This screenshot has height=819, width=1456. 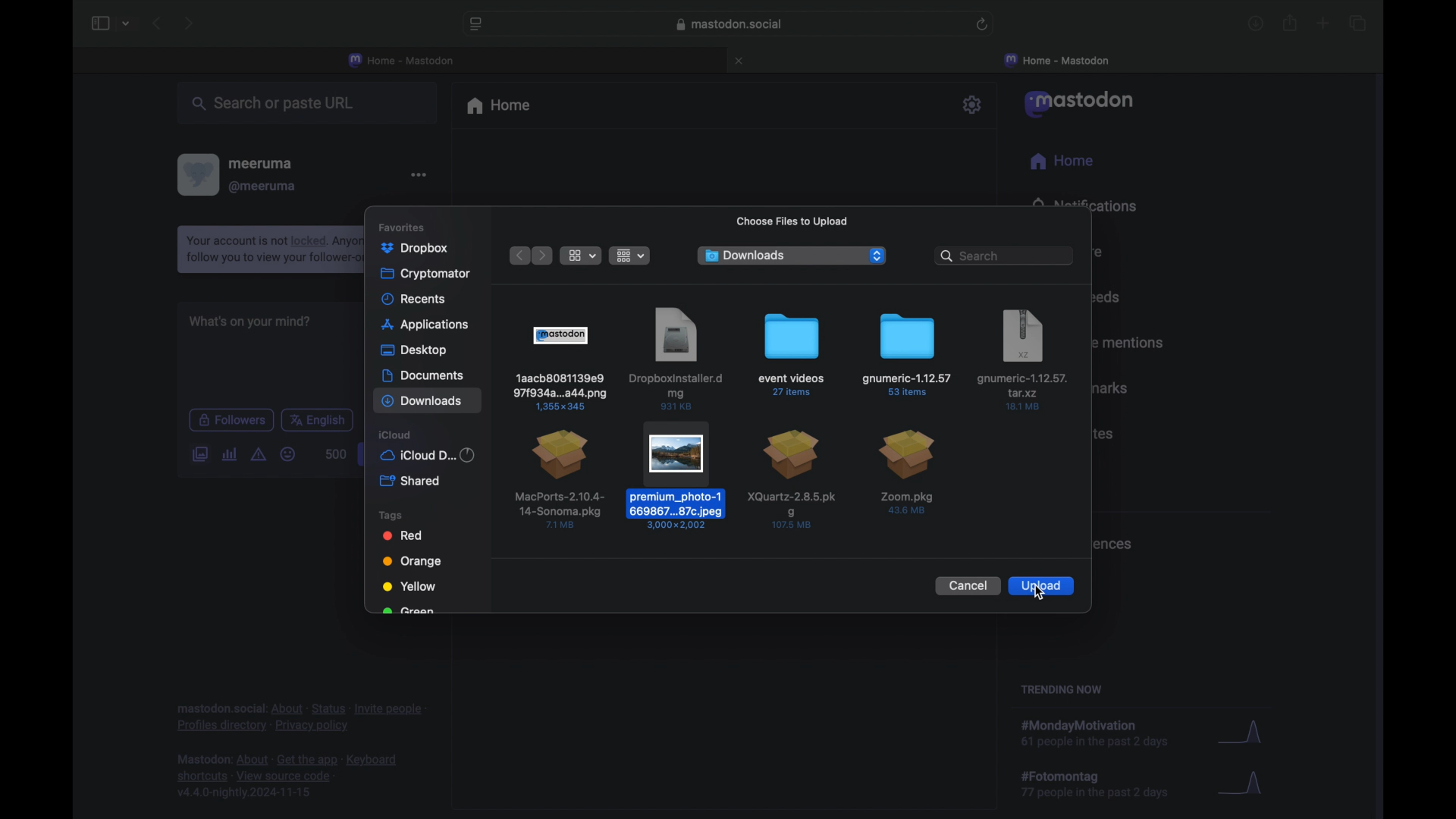 I want to click on yellow, so click(x=406, y=587).